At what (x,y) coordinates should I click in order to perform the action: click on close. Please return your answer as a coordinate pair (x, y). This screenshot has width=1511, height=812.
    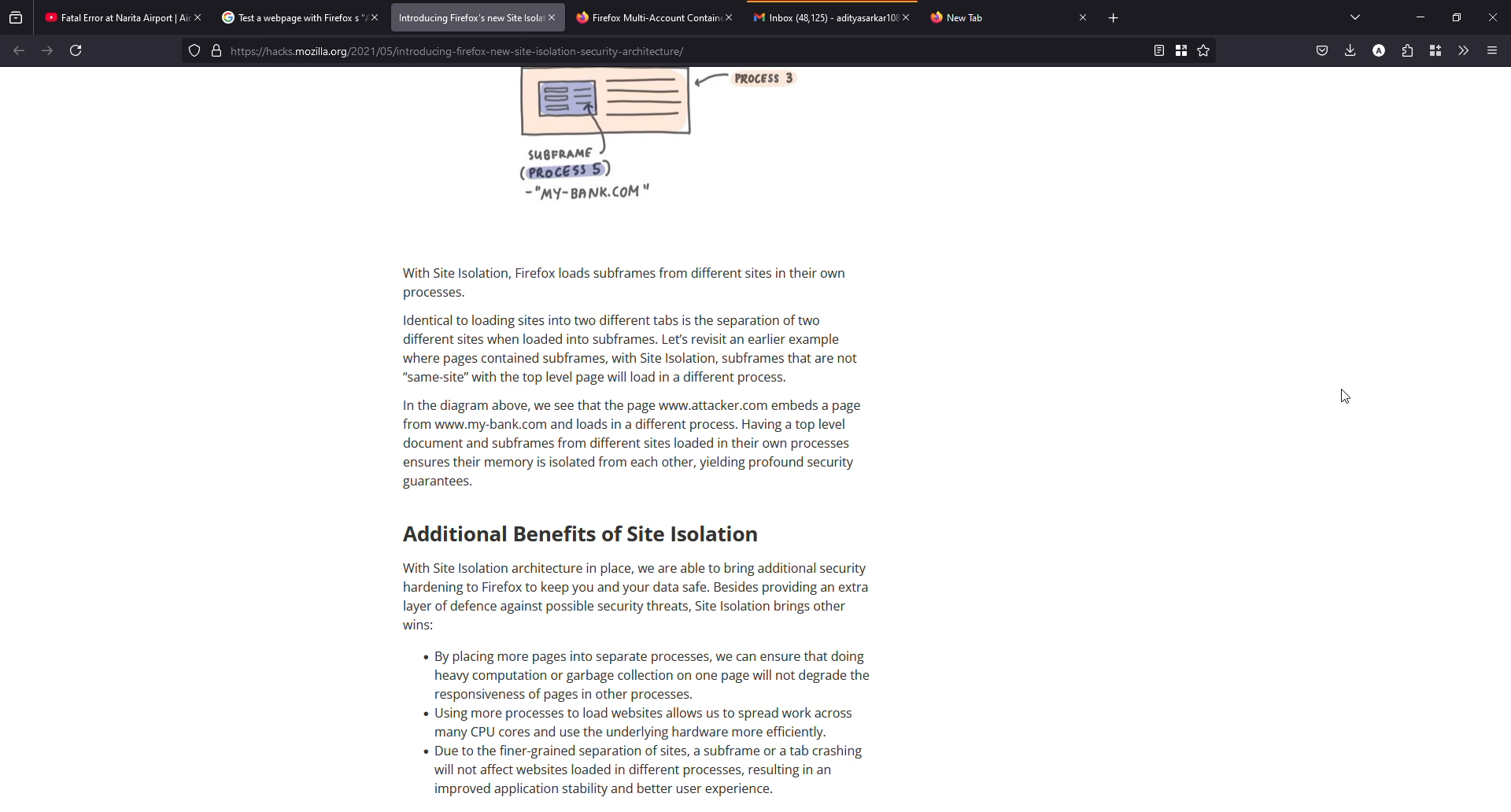
    Looking at the image, I should click on (906, 17).